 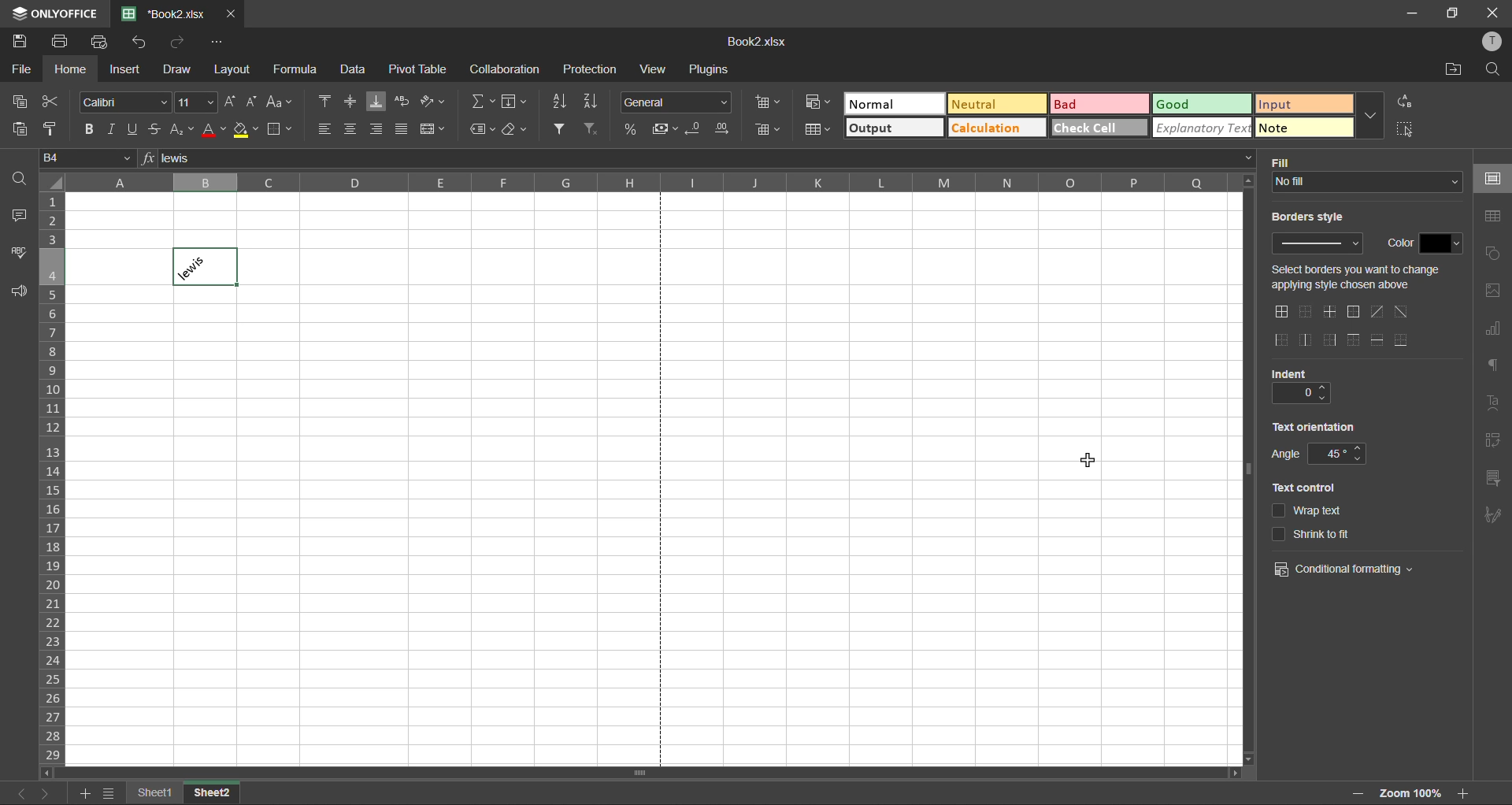 I want to click on previous, so click(x=22, y=793).